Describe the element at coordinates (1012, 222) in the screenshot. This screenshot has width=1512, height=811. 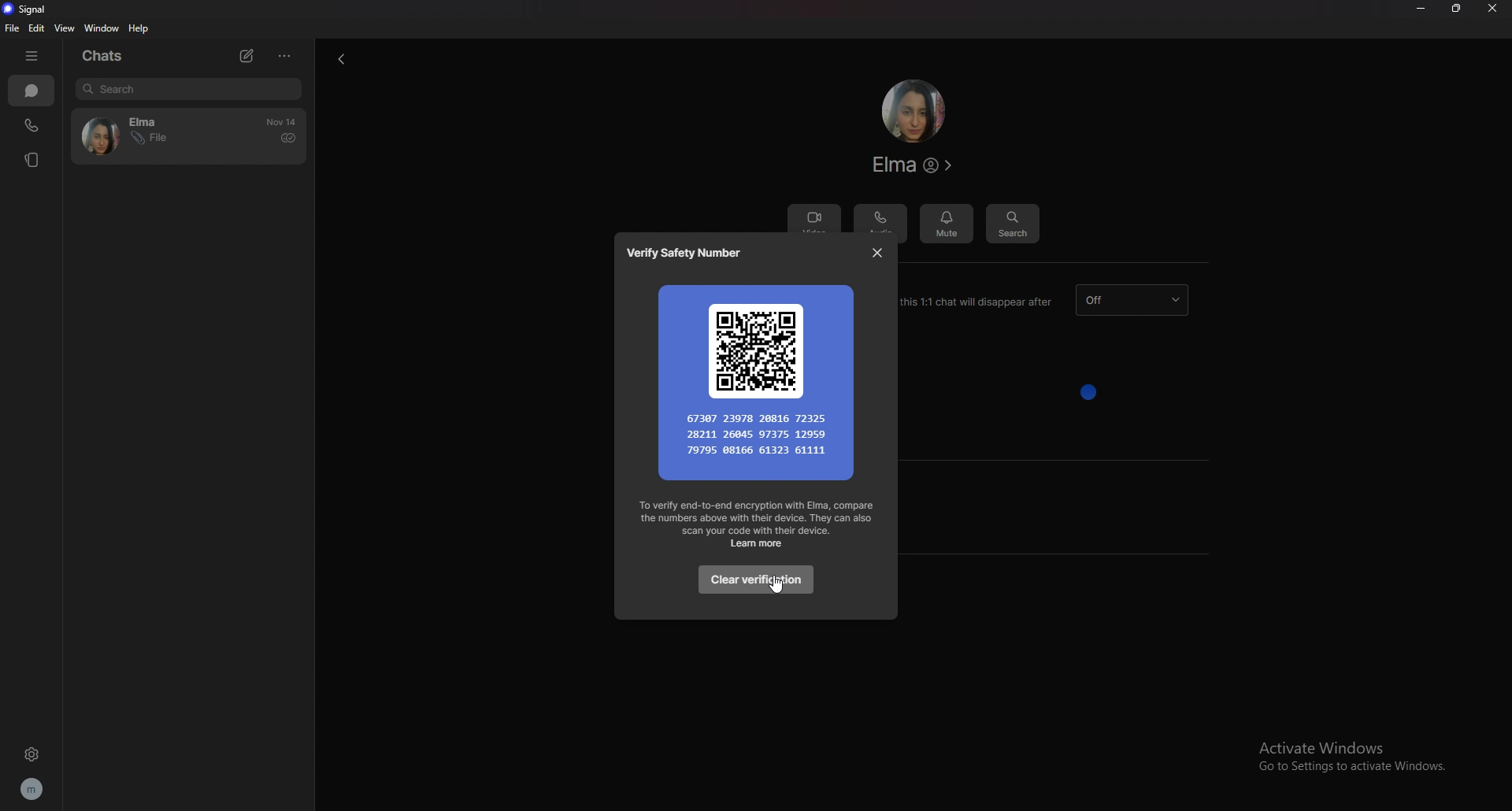
I see `search` at that location.